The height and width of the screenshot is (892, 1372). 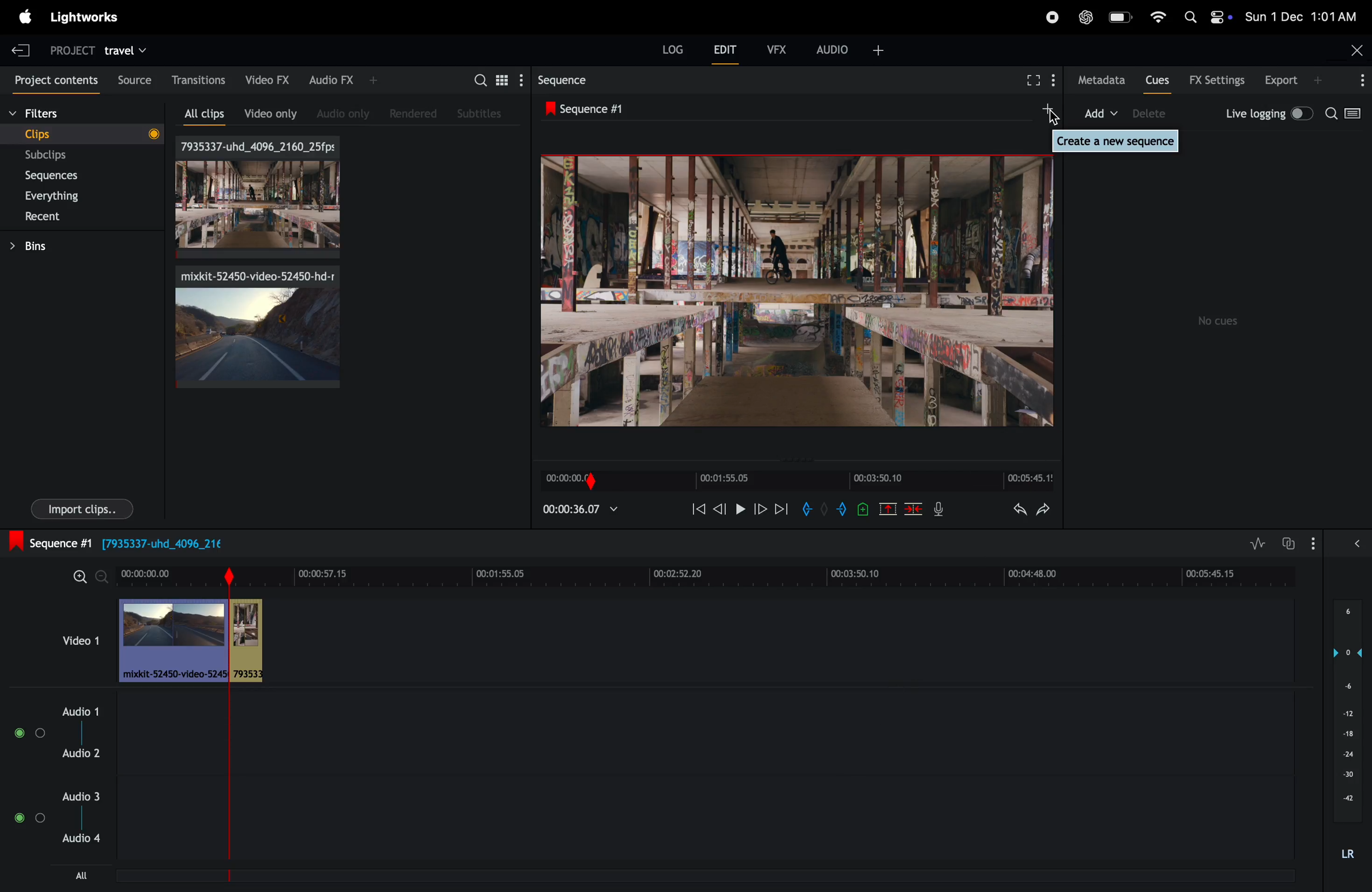 I want to click on show hide full video mix, so click(x=1357, y=543).